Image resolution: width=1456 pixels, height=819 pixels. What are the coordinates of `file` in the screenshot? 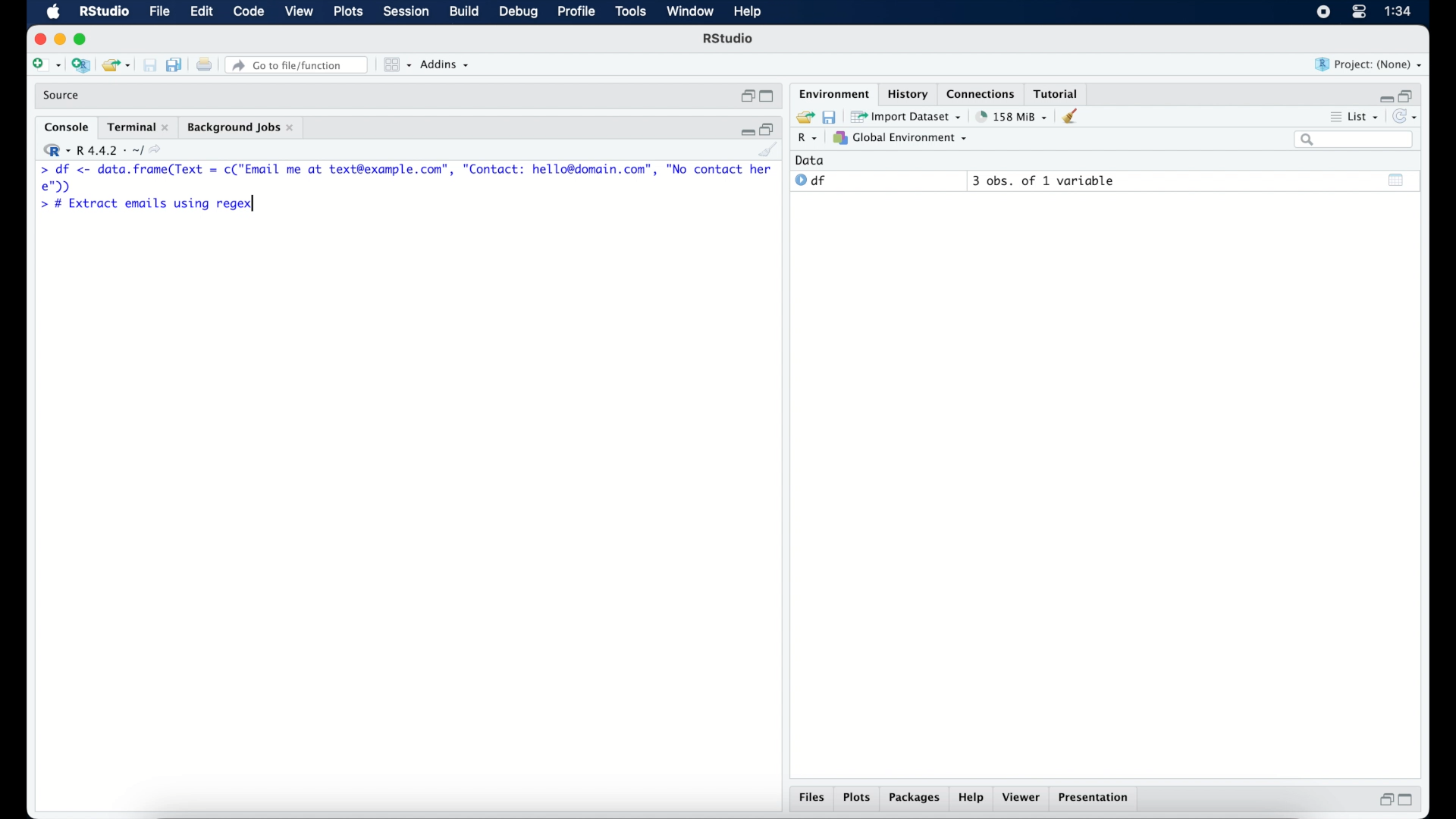 It's located at (160, 12).